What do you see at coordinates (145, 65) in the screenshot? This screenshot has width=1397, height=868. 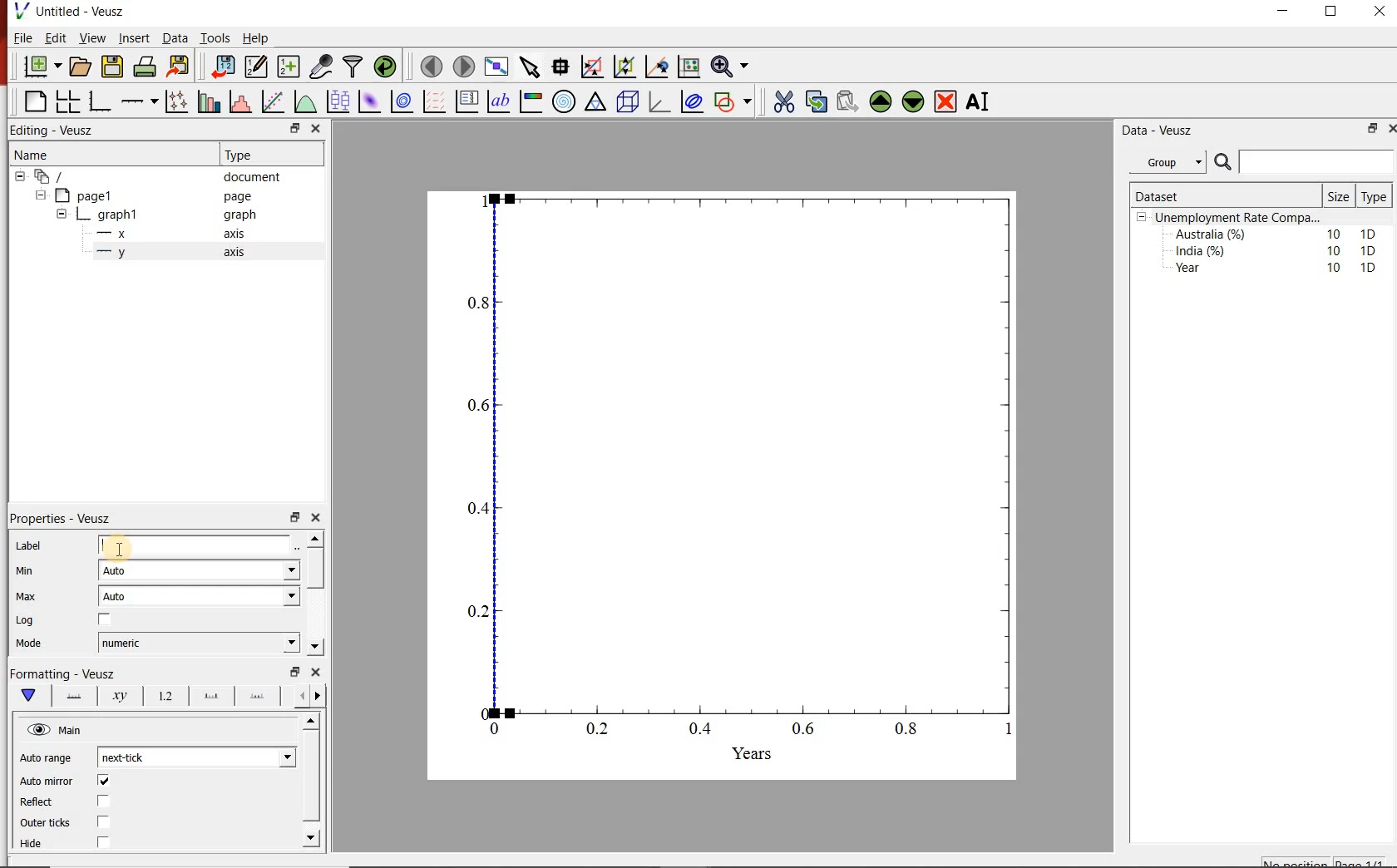 I see `print document` at bounding box center [145, 65].